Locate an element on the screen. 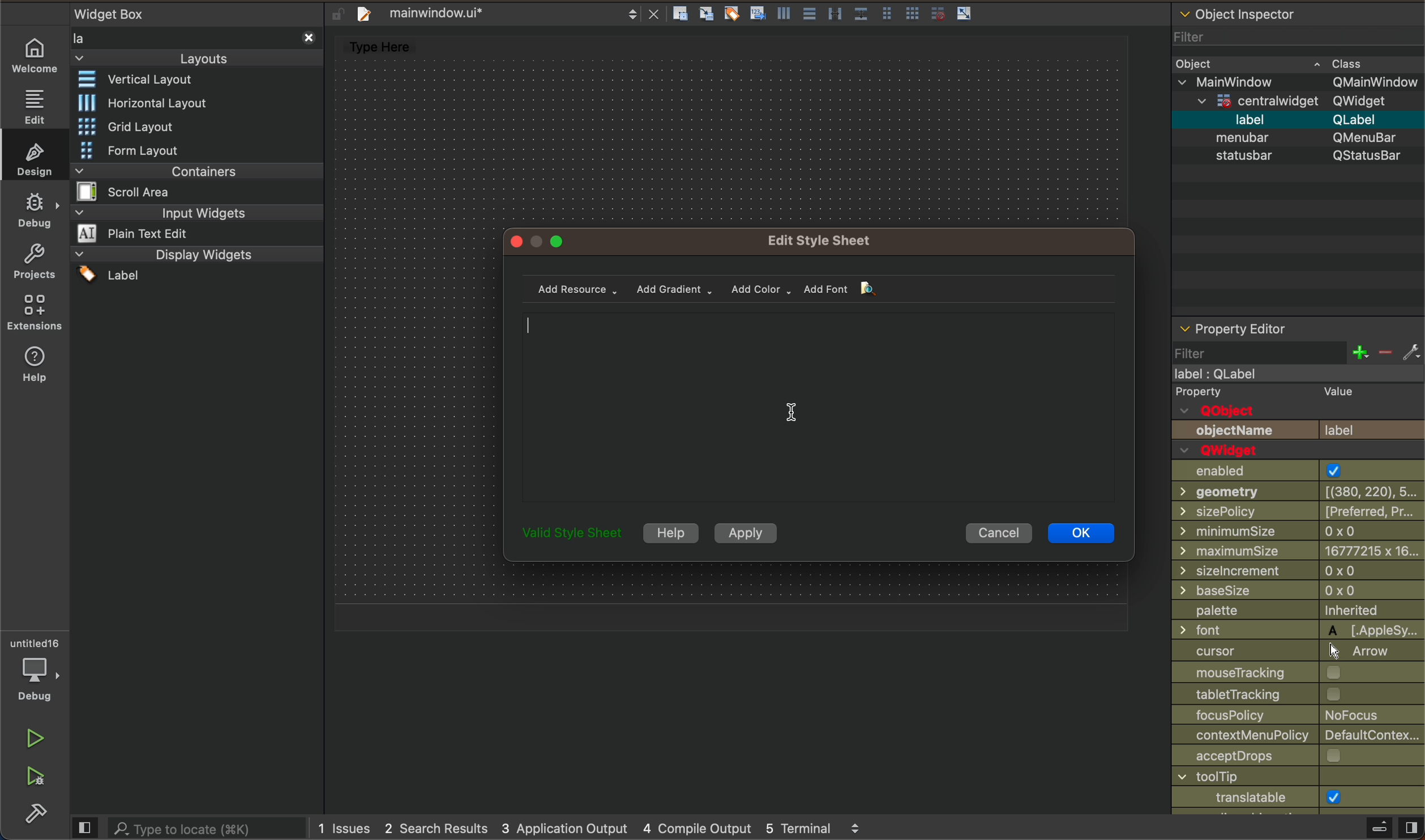 This screenshot has height=840, width=1425. 5 terminal is located at coordinates (818, 828).